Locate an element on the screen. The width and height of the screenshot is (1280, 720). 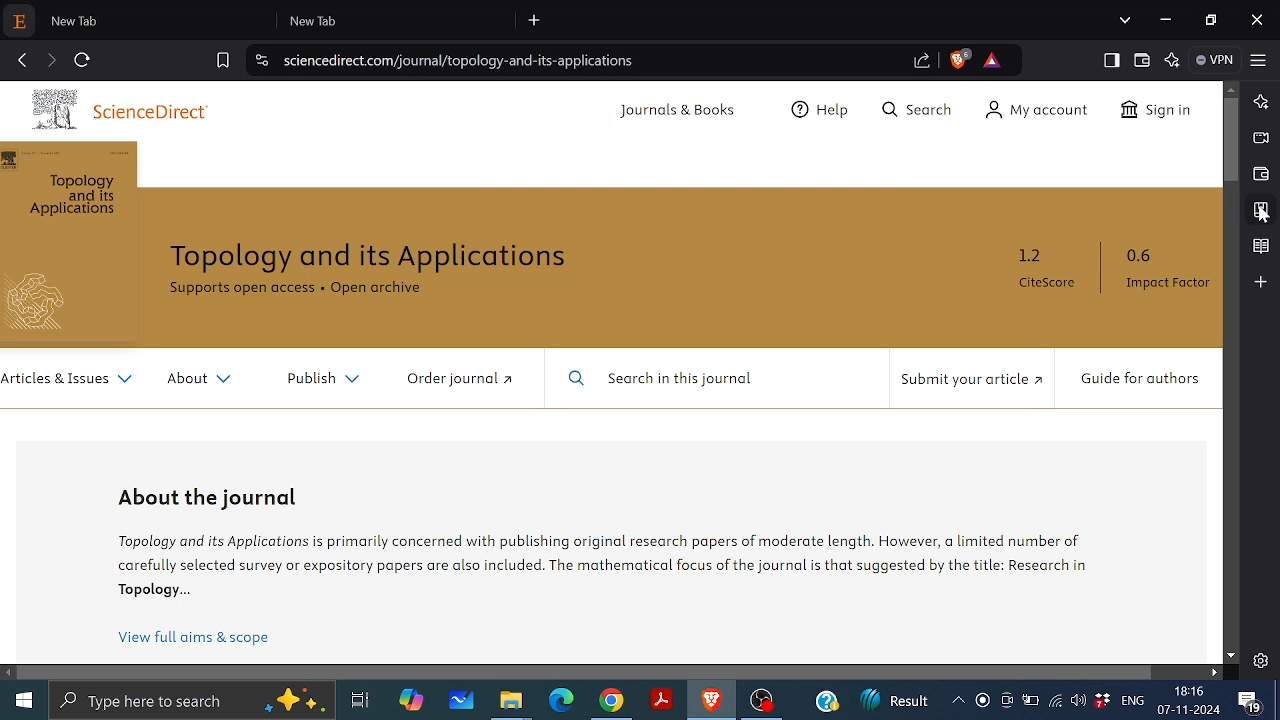
View full aims and scope is located at coordinates (193, 640).